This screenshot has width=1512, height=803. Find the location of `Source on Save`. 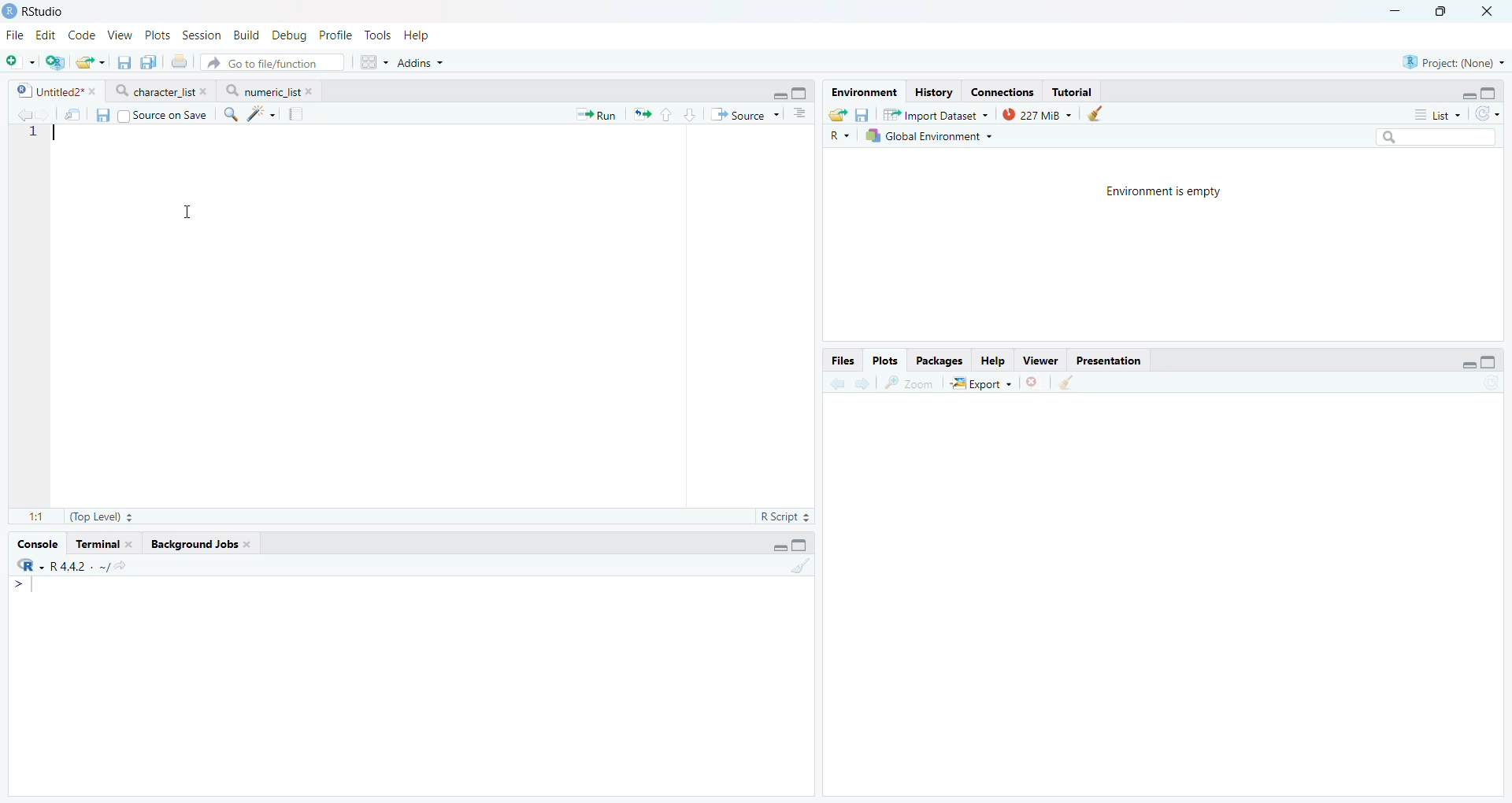

Source on Save is located at coordinates (162, 115).